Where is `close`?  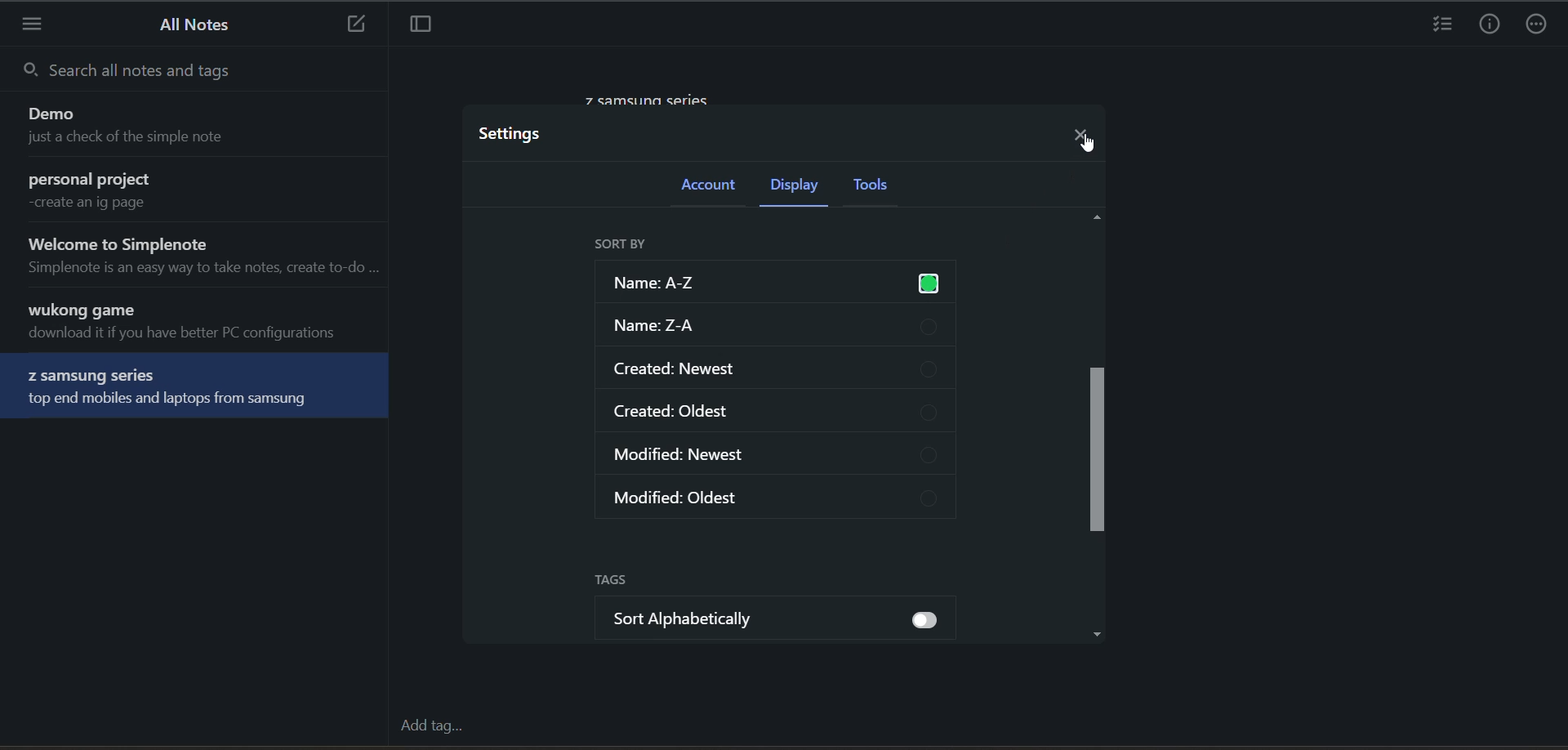 close is located at coordinates (1084, 132).